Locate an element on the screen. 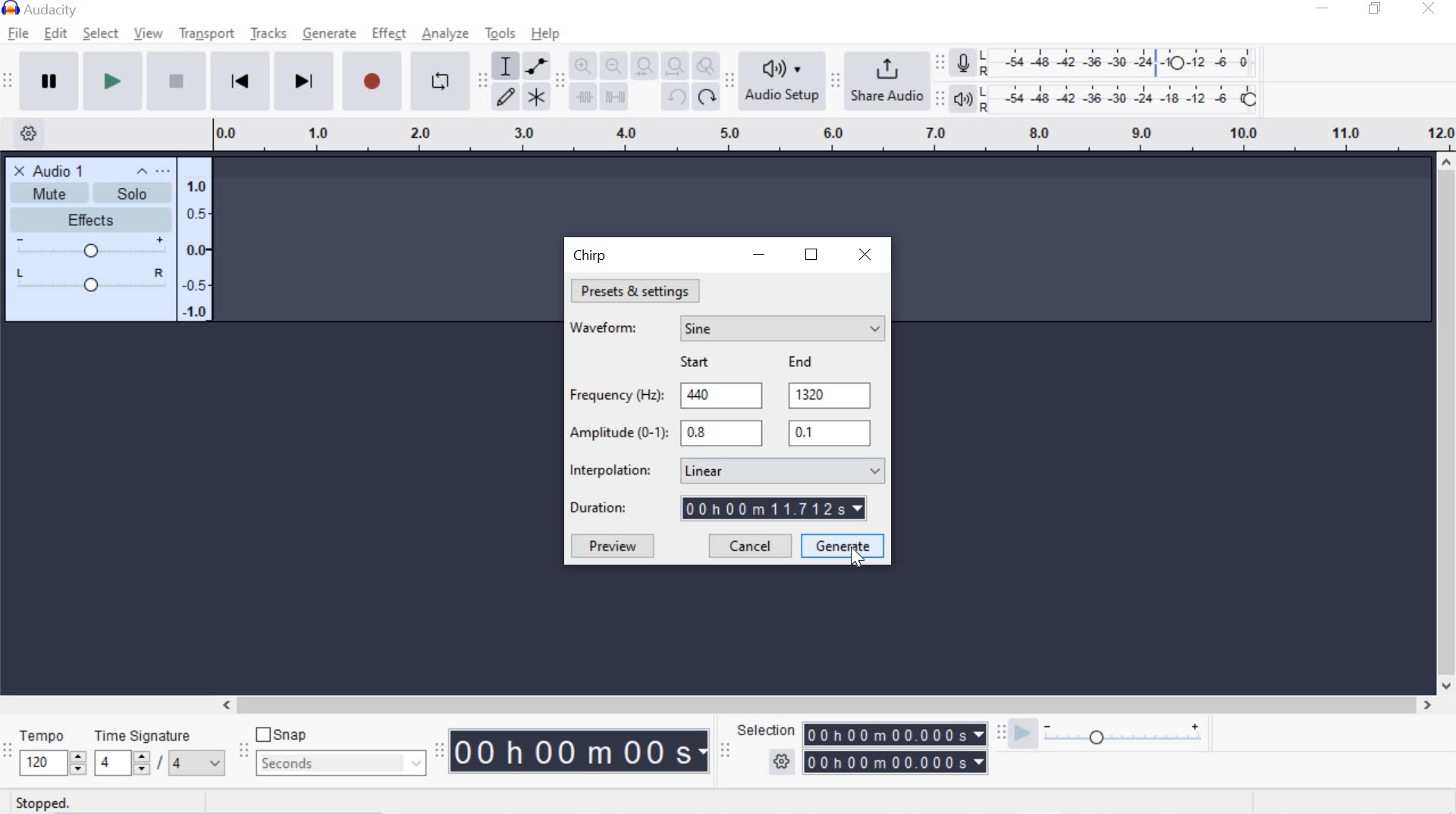  Playback meter toolbar is located at coordinates (941, 101).